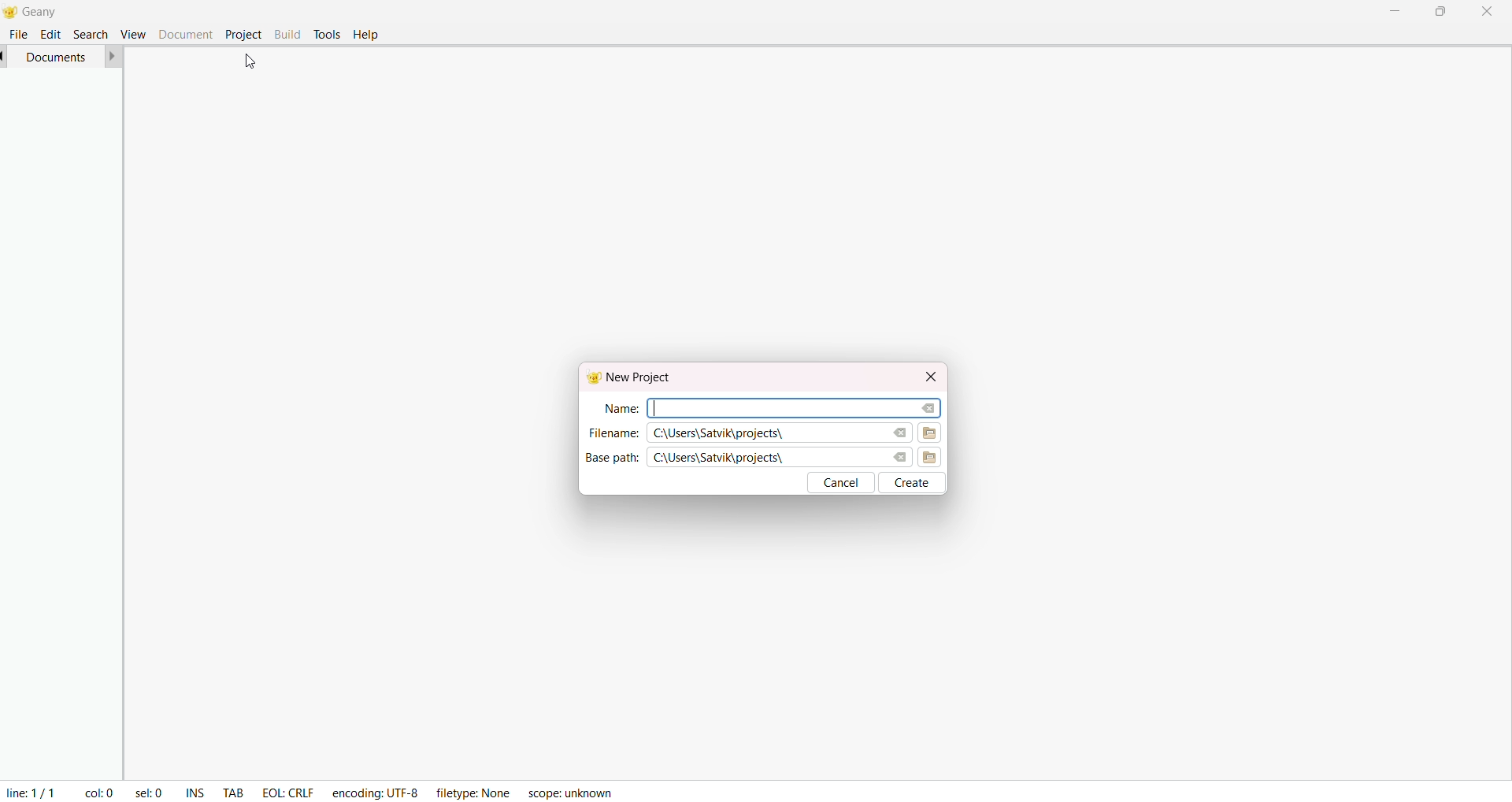 The image size is (1512, 802). Describe the element at coordinates (611, 458) in the screenshot. I see `Base path:` at that location.